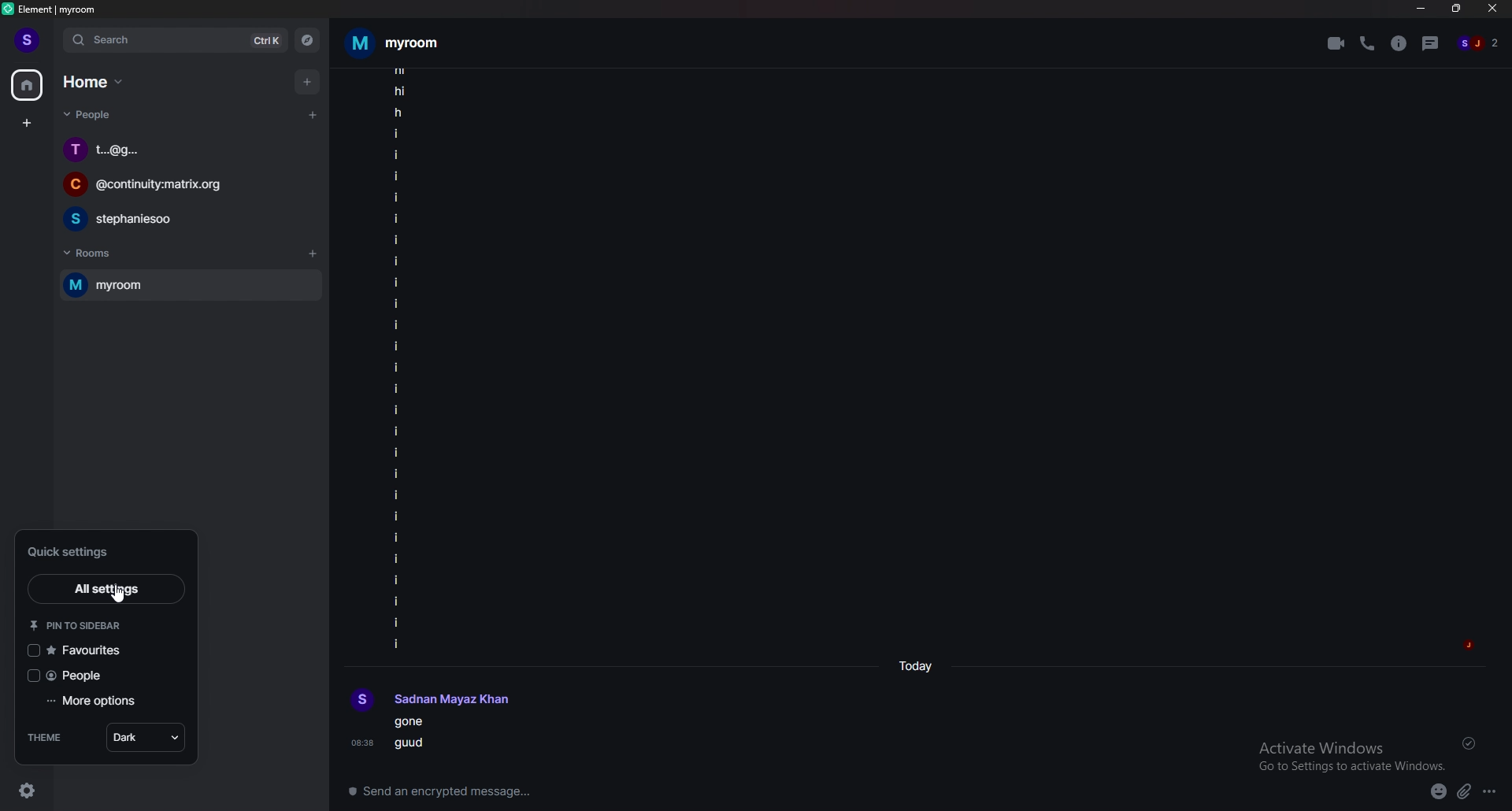 This screenshot has width=1512, height=811. Describe the element at coordinates (398, 358) in the screenshot. I see `texts` at that location.